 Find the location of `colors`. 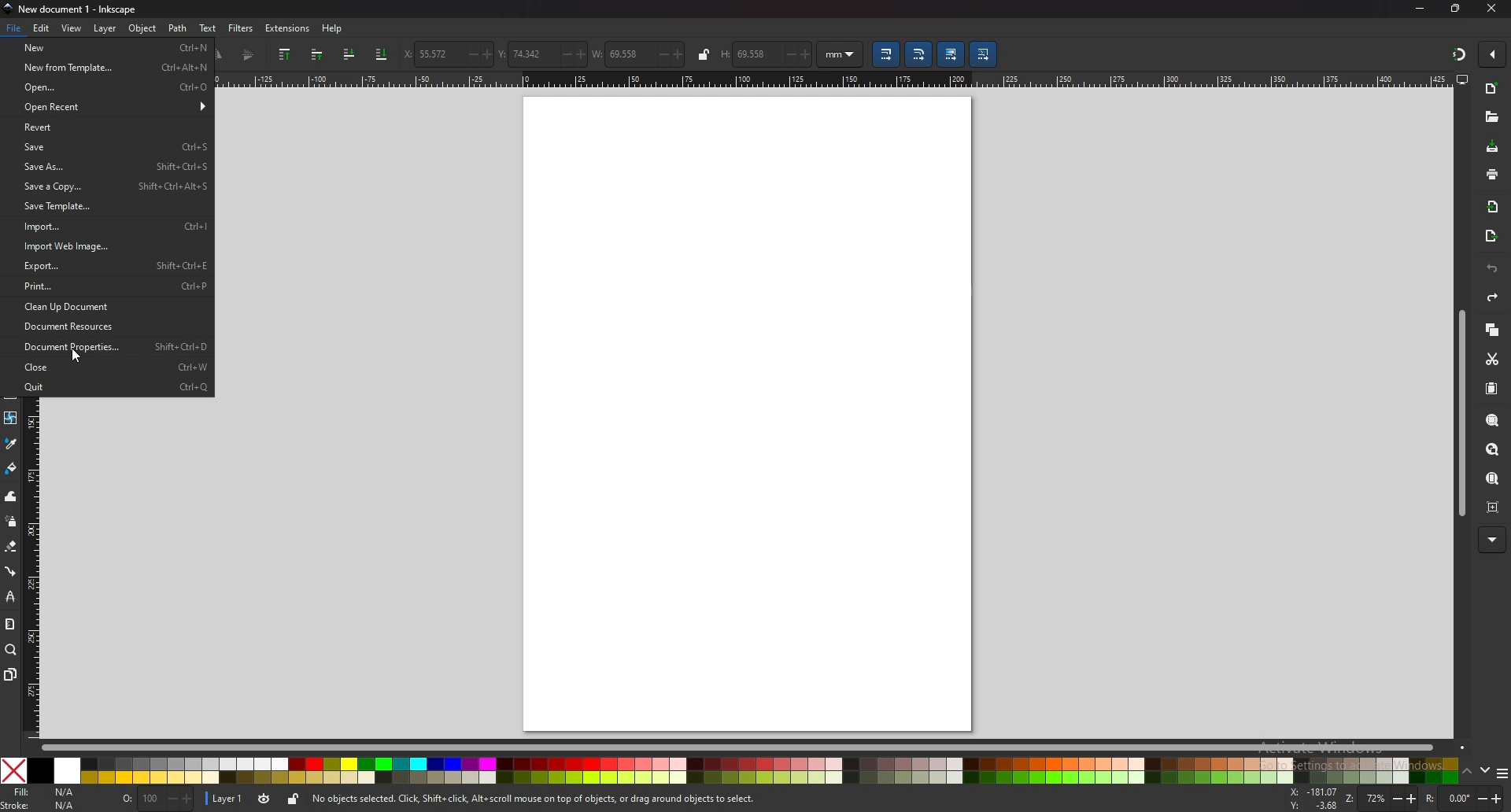

colors is located at coordinates (744, 771).